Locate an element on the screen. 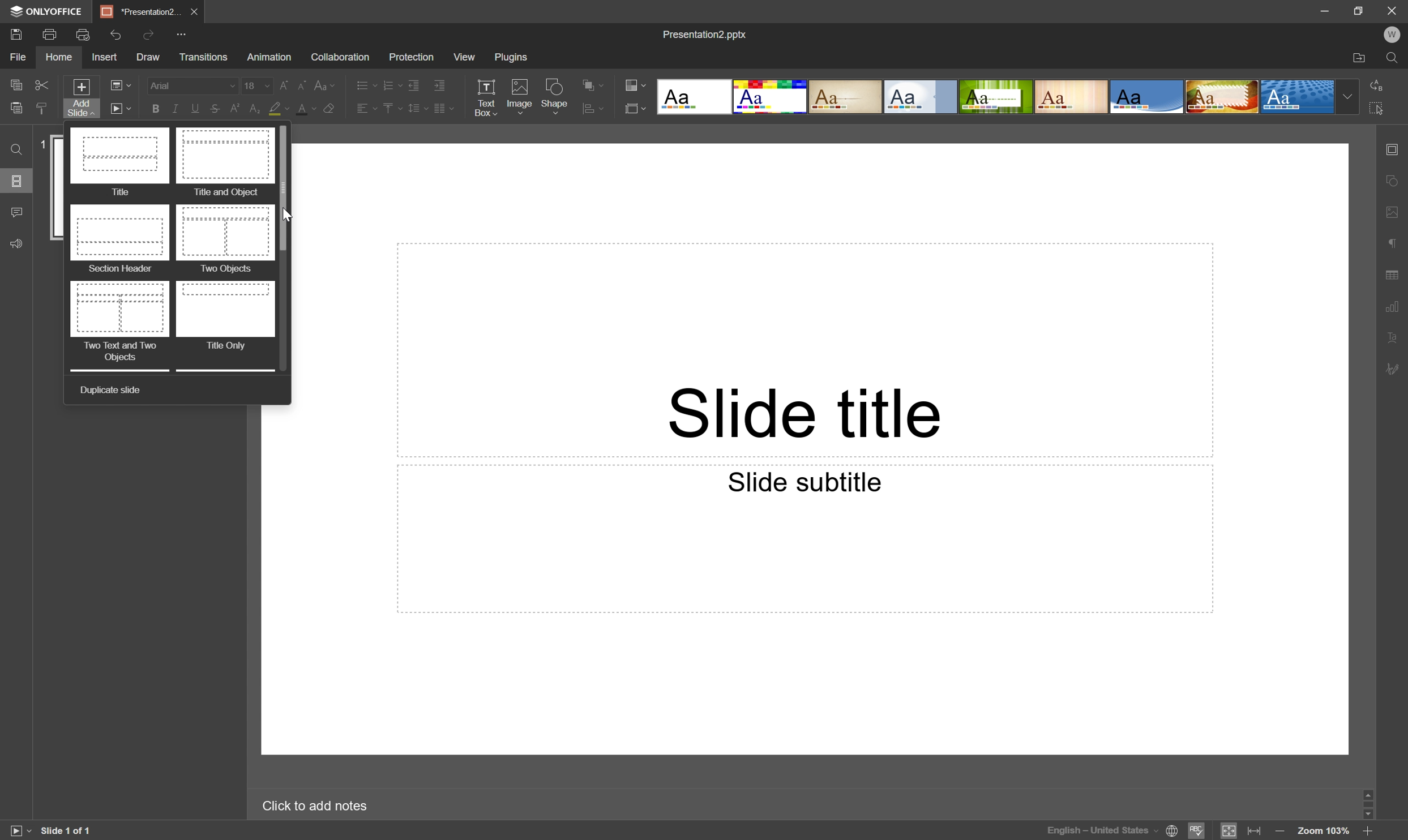  Fit to slide is located at coordinates (1230, 830).